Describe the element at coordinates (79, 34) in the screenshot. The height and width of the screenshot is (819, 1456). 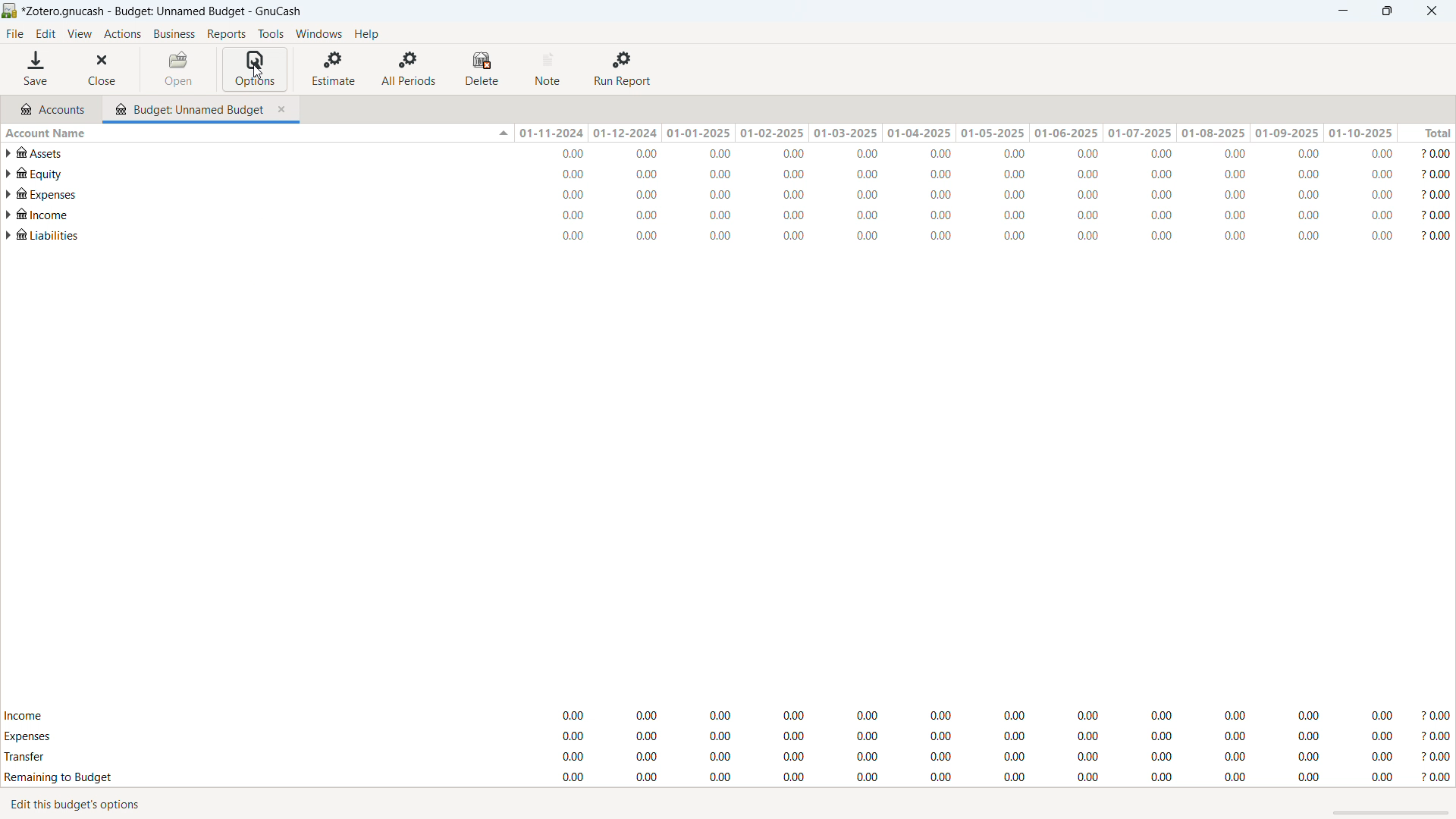
I see `view` at that location.